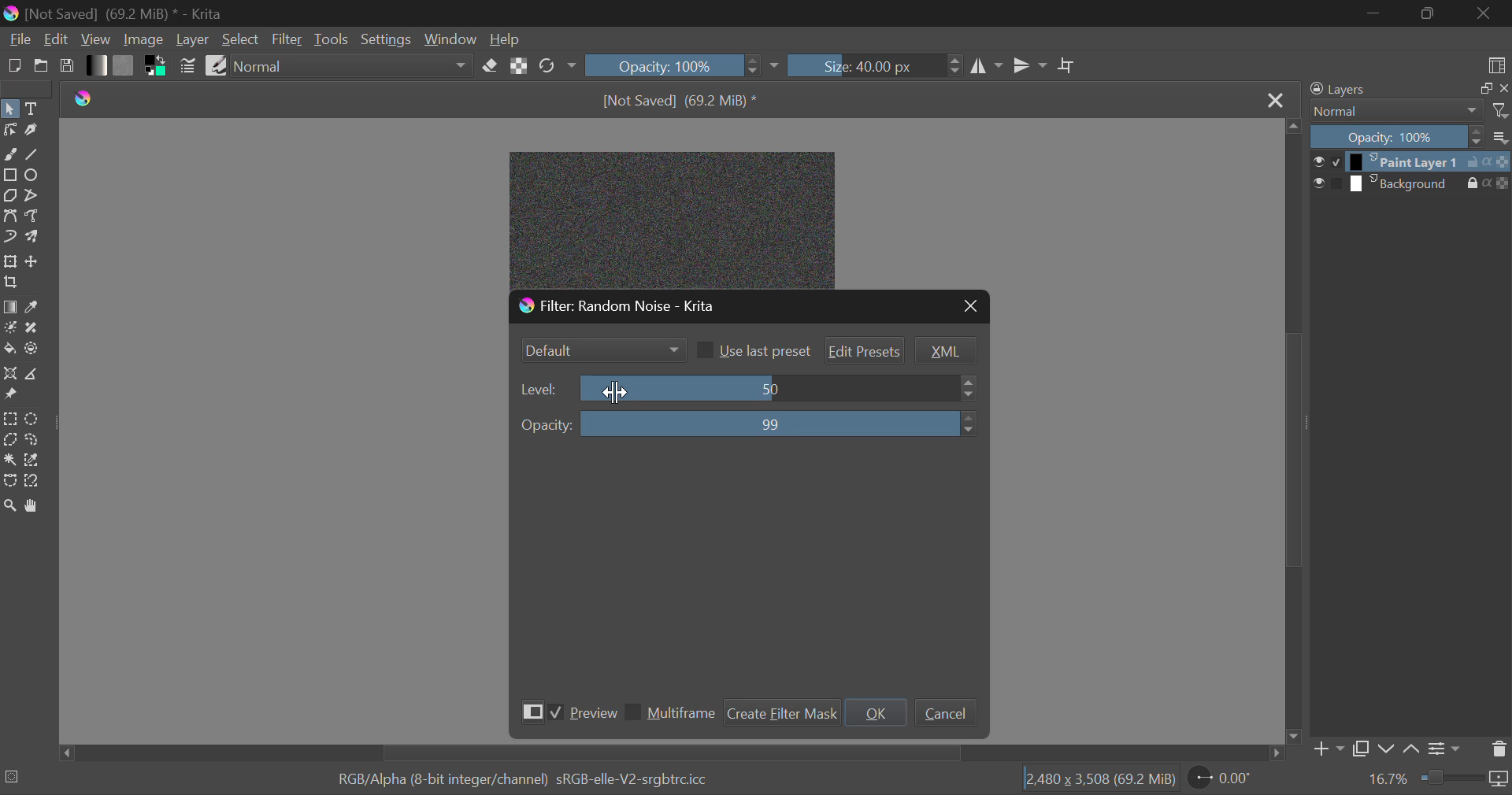 The image size is (1512, 795). I want to click on Brush Presets, so click(216, 65).